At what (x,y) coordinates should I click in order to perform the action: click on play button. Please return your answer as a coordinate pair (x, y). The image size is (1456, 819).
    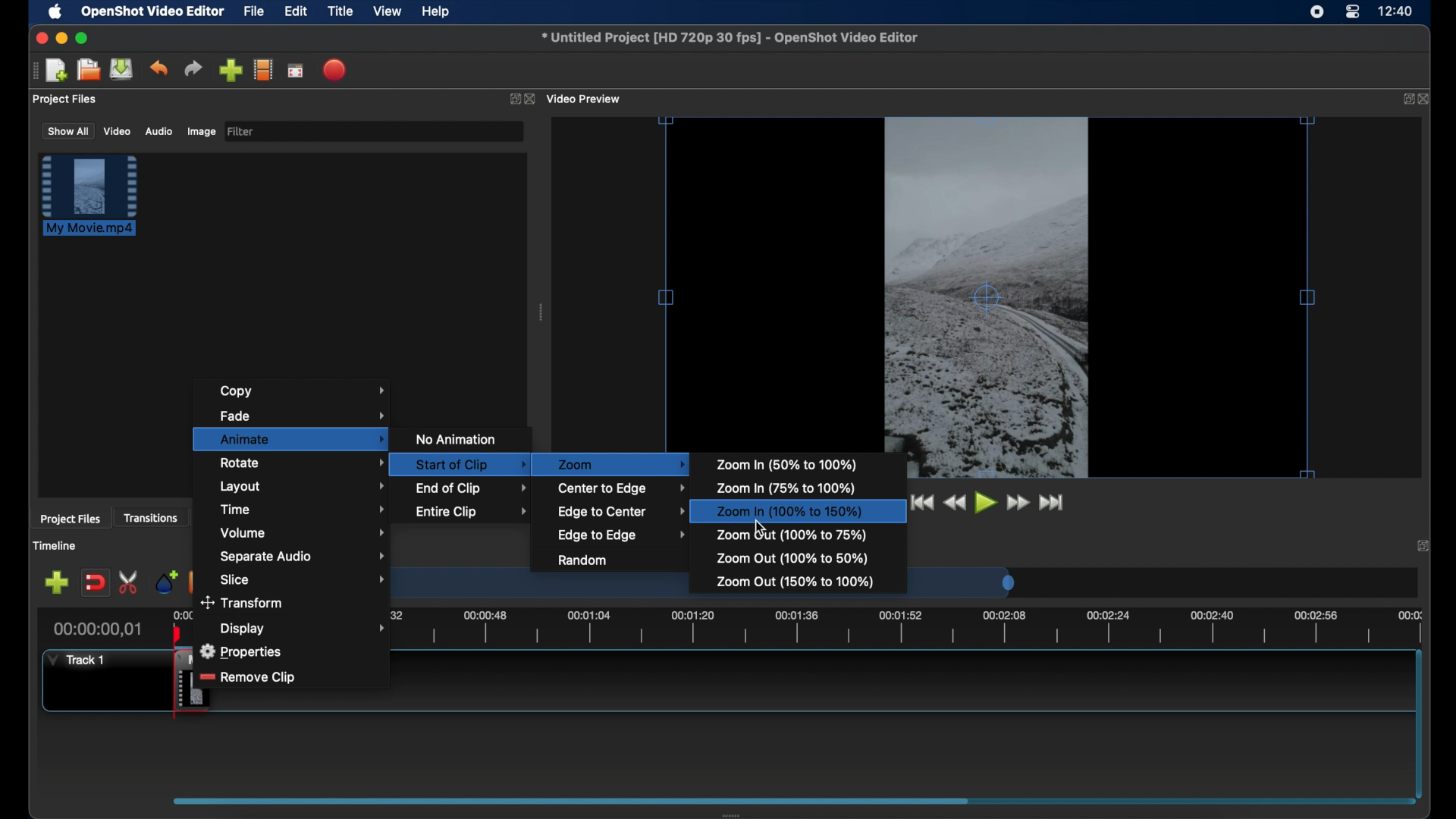
    Looking at the image, I should click on (987, 504).